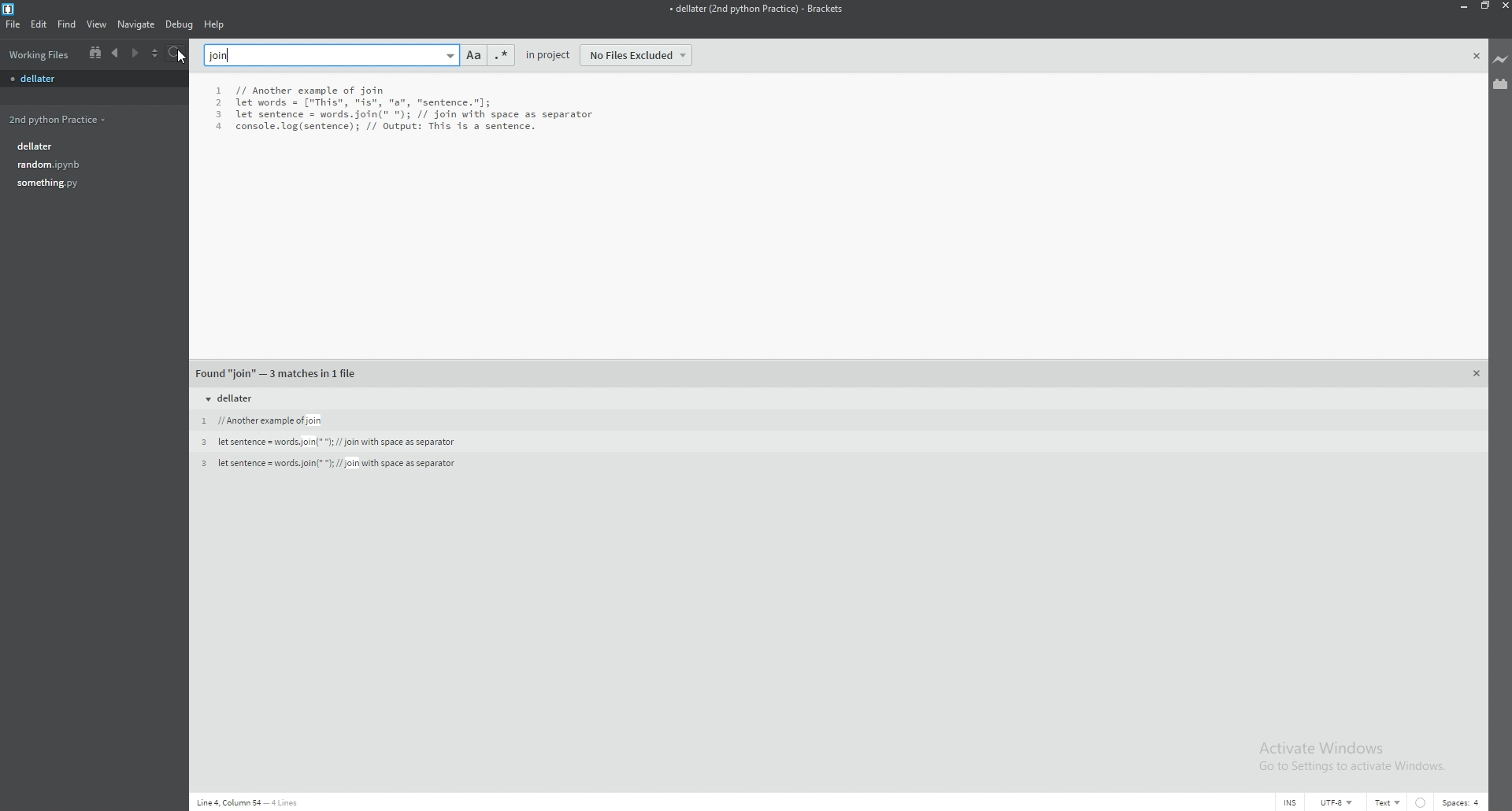 This screenshot has height=811, width=1512. I want to click on edit, so click(38, 25).